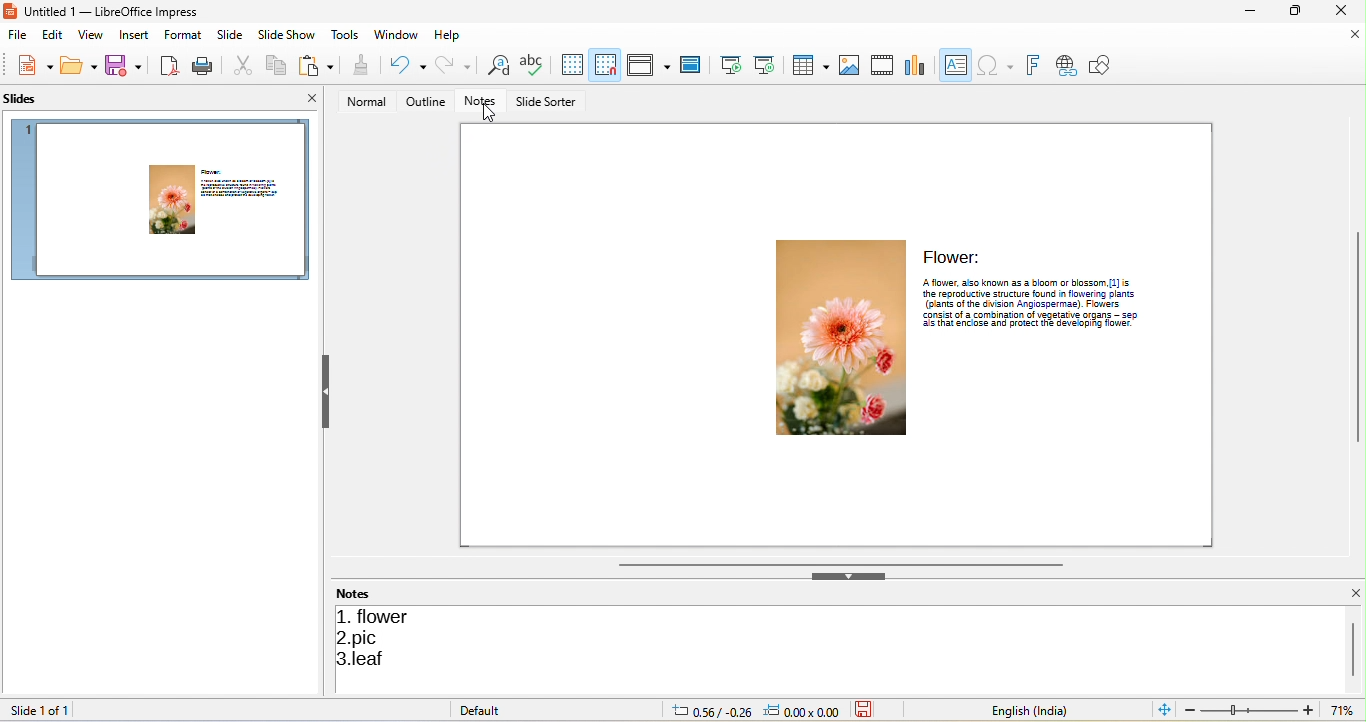 The width and height of the screenshot is (1366, 722). What do you see at coordinates (105, 11) in the screenshot?
I see ` Untitled 1 — LibreOffice Impress` at bounding box center [105, 11].